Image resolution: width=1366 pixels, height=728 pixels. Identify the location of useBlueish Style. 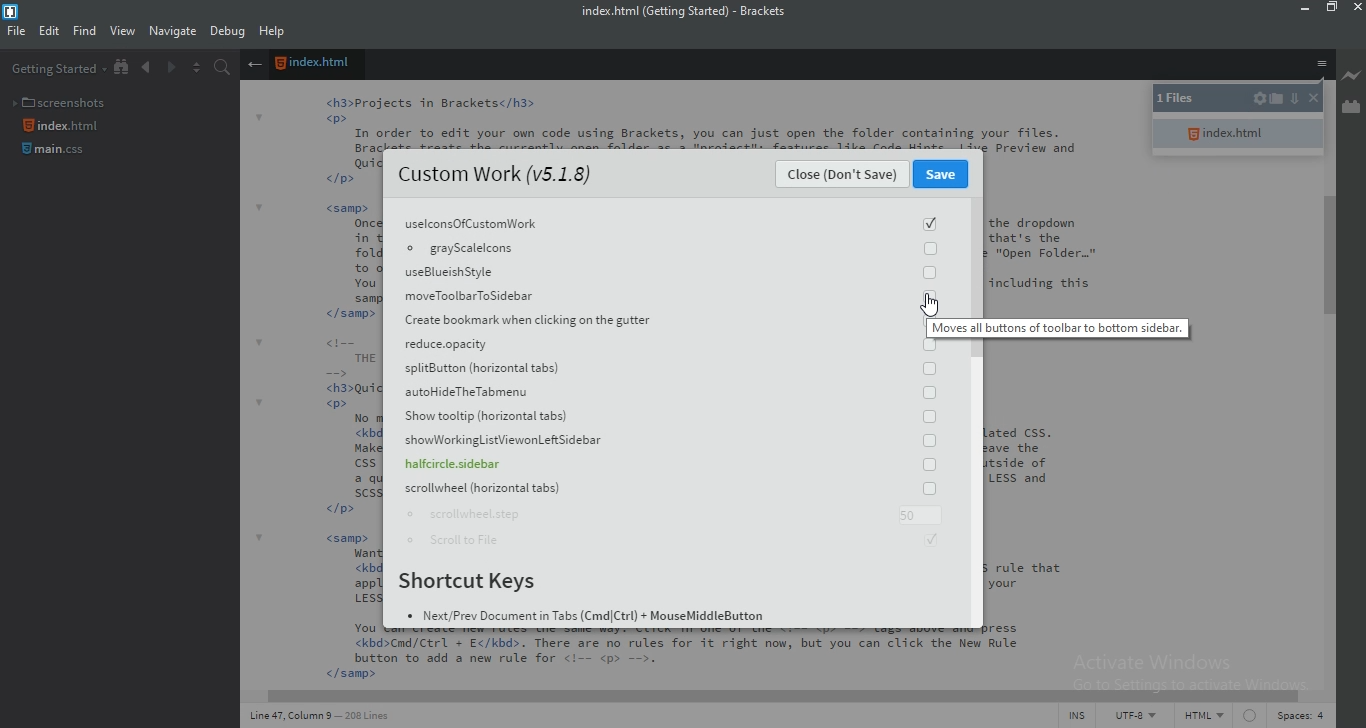
(670, 272).